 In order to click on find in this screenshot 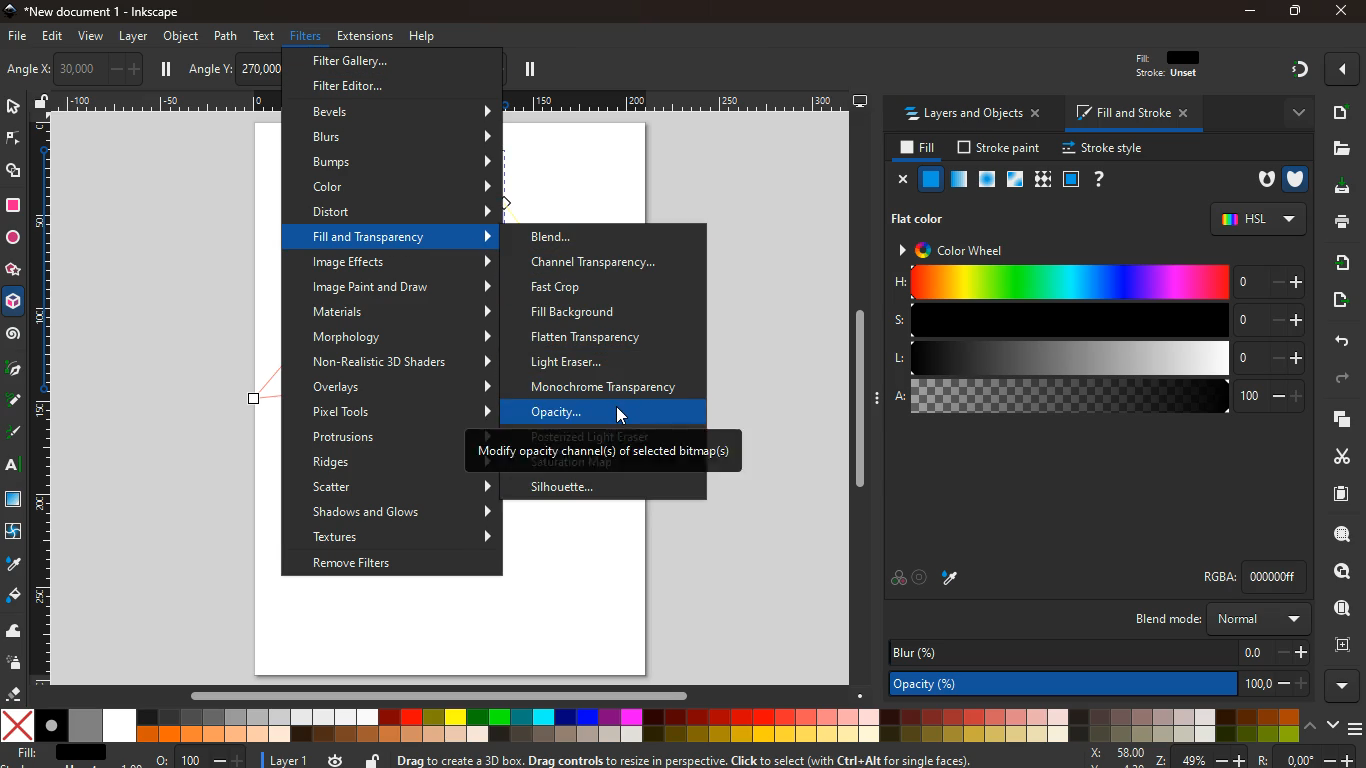, I will do `click(1343, 571)`.